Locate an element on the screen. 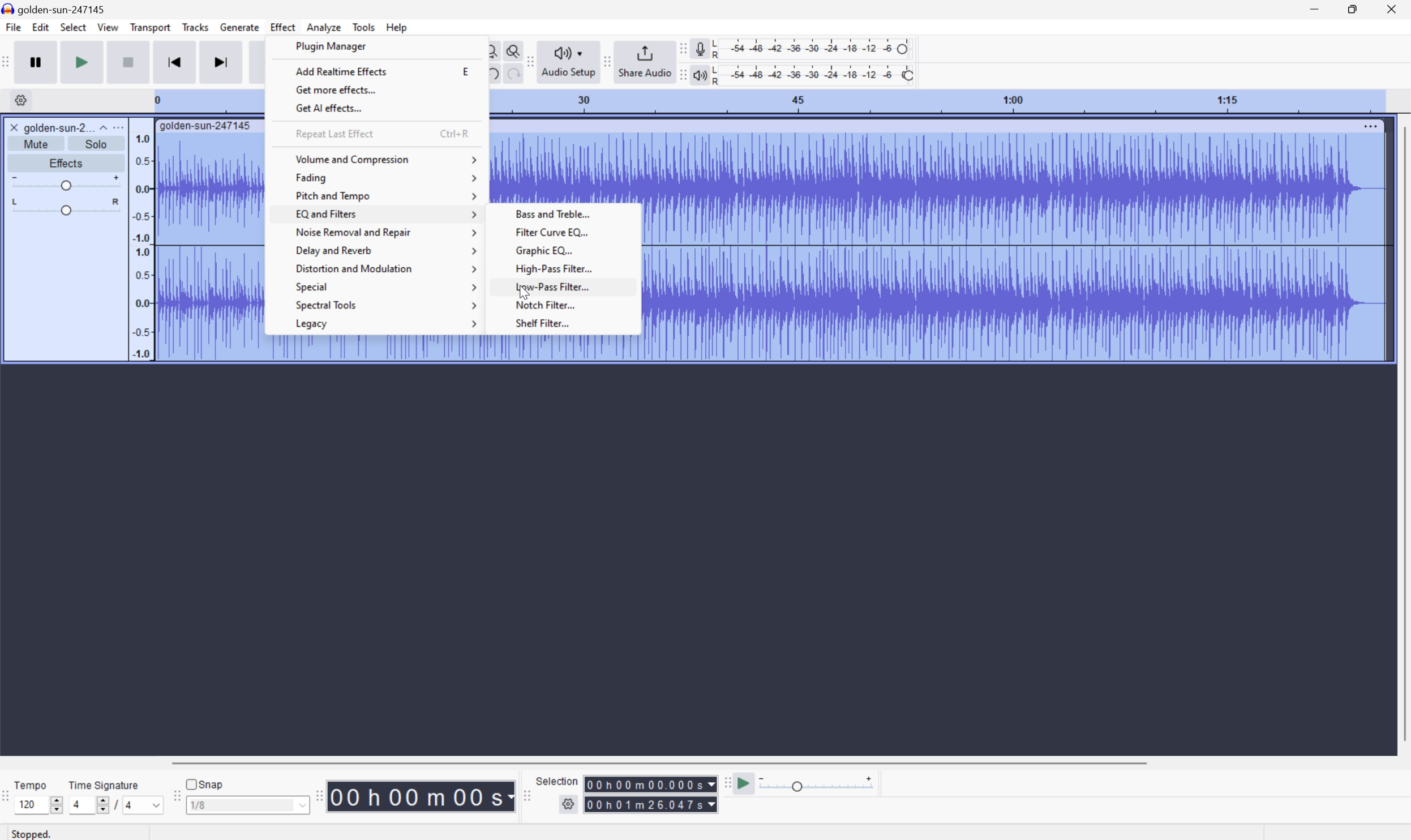 Image resolution: width=1411 pixels, height=840 pixels. Undo is located at coordinates (491, 74).